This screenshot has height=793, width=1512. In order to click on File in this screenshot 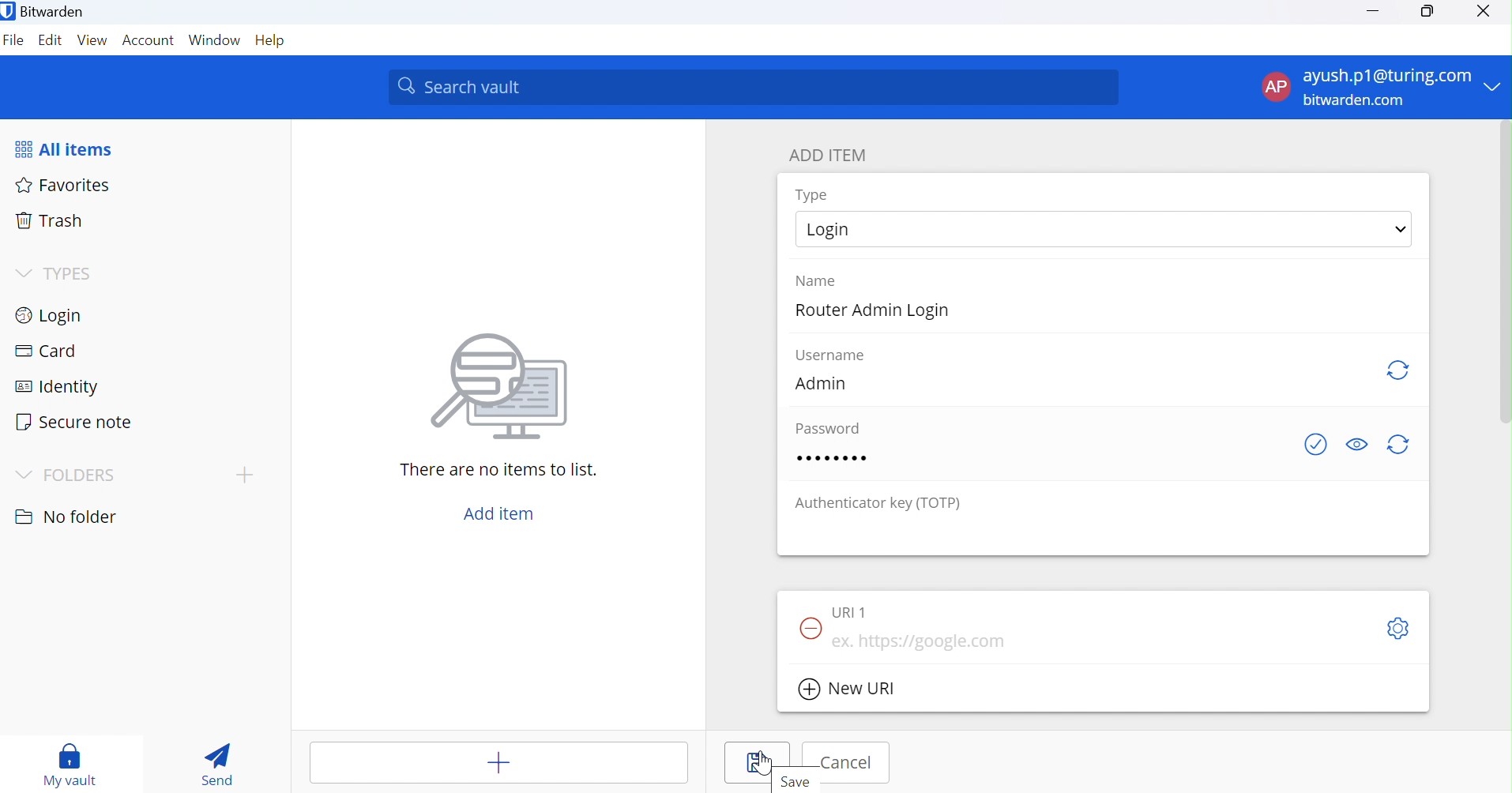, I will do `click(14, 43)`.